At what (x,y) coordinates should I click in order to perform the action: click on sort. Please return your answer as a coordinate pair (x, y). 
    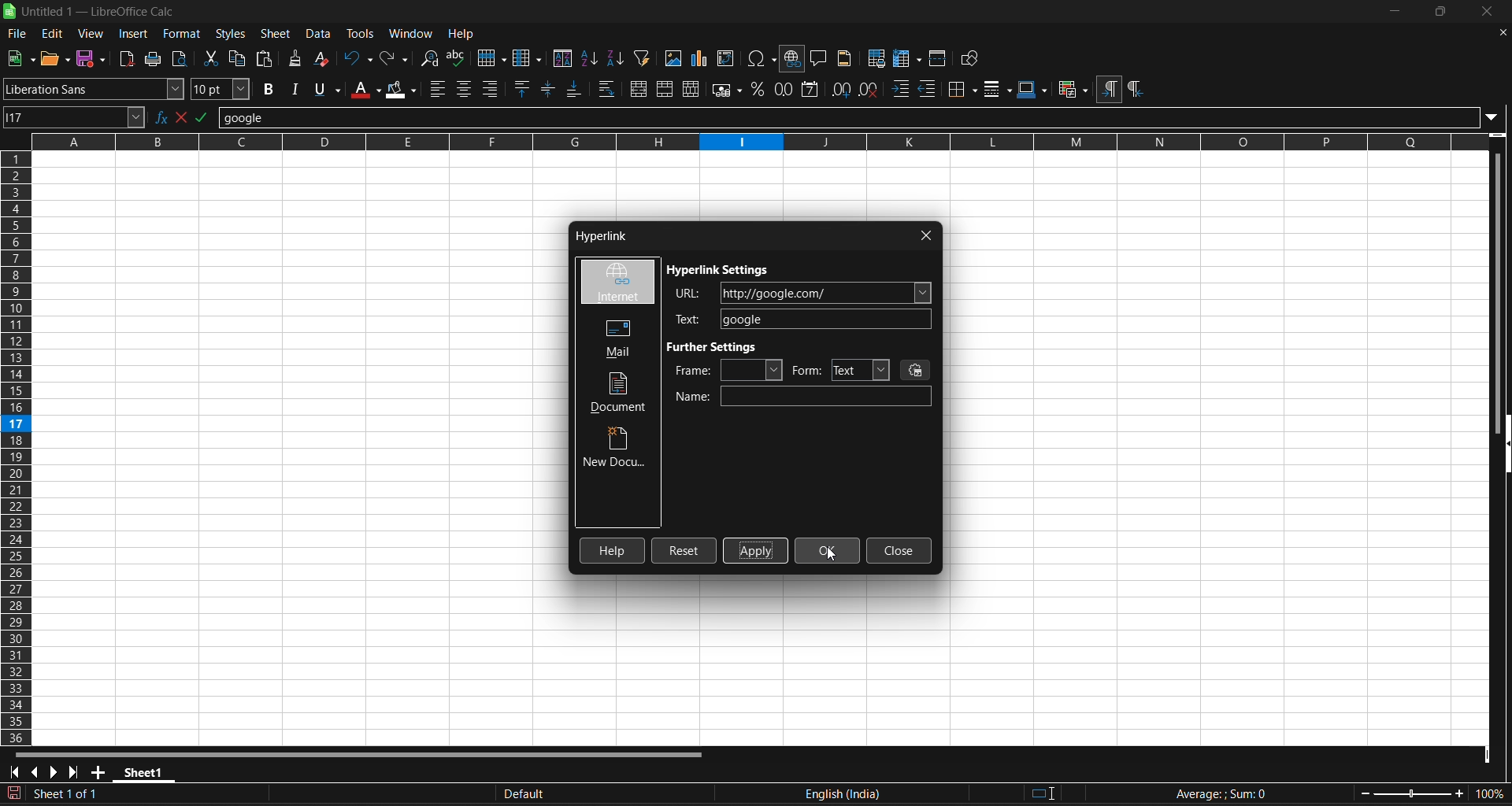
    Looking at the image, I should click on (563, 57).